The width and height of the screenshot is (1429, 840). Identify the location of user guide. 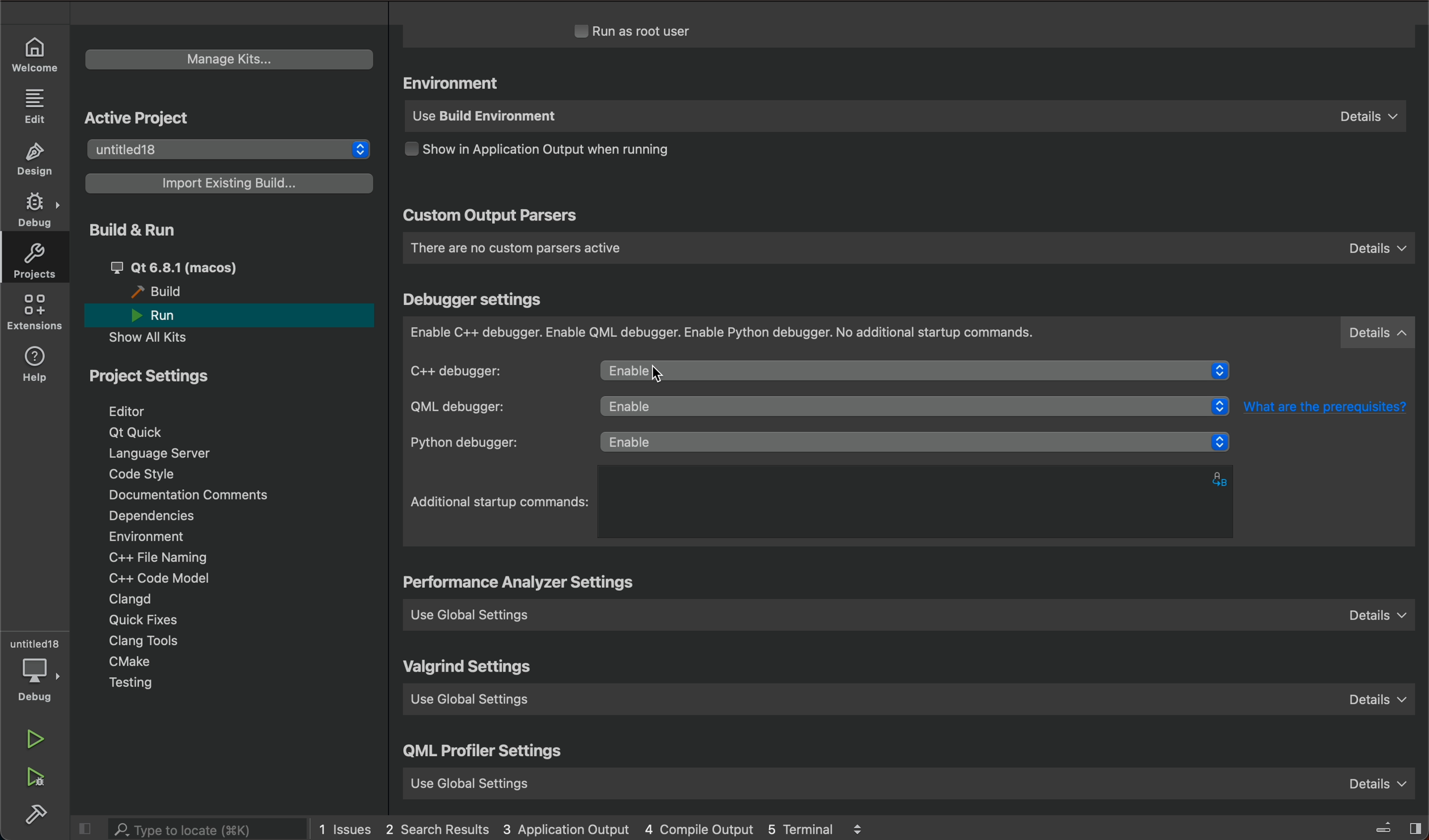
(150, 778).